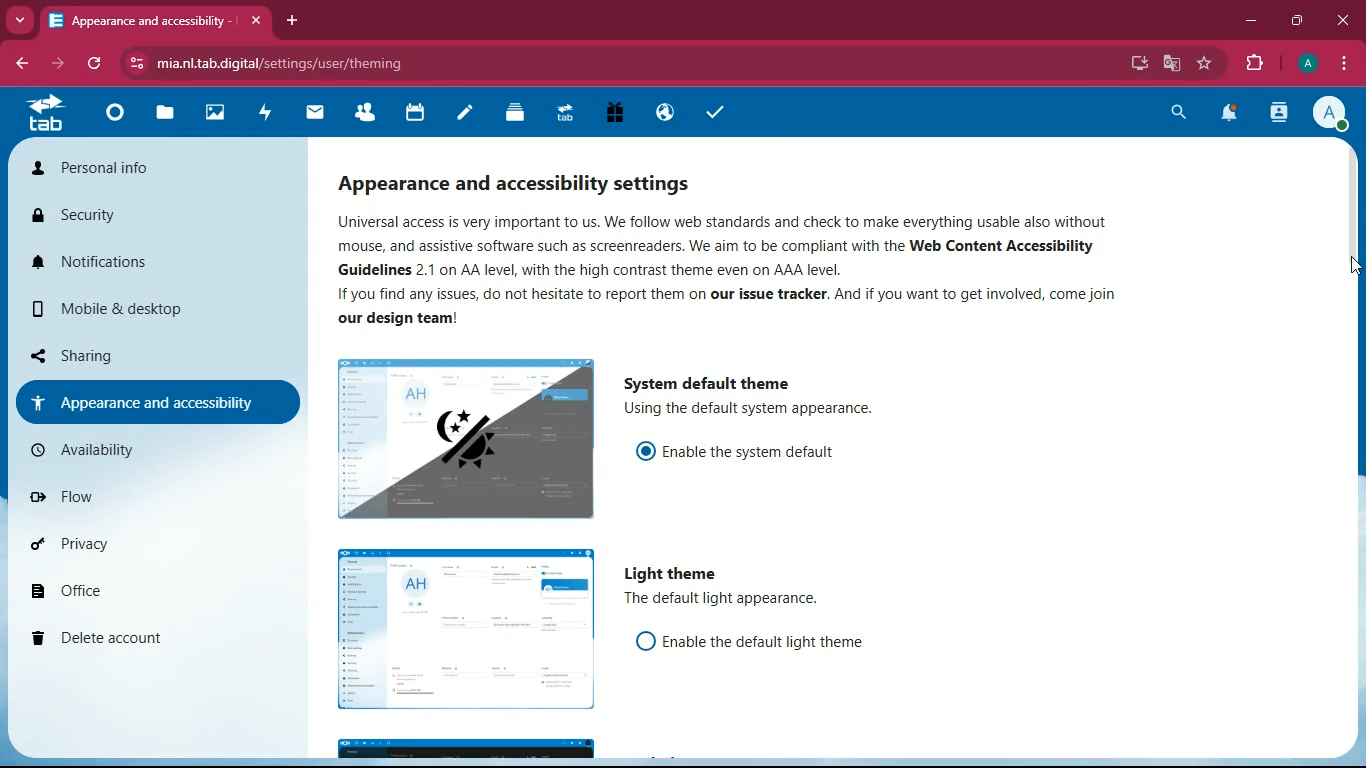  I want to click on description, so click(749, 263).